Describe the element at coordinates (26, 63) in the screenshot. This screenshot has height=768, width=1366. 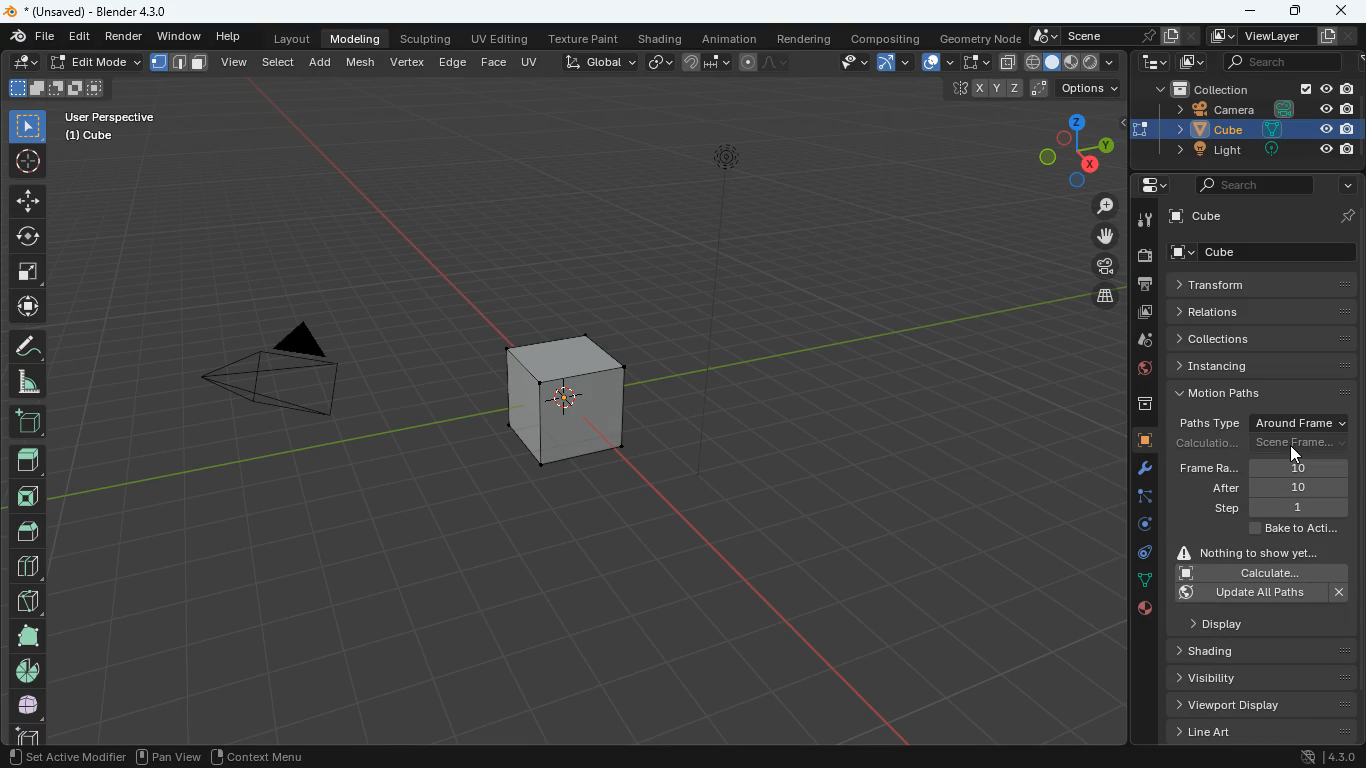
I see `edit` at that location.